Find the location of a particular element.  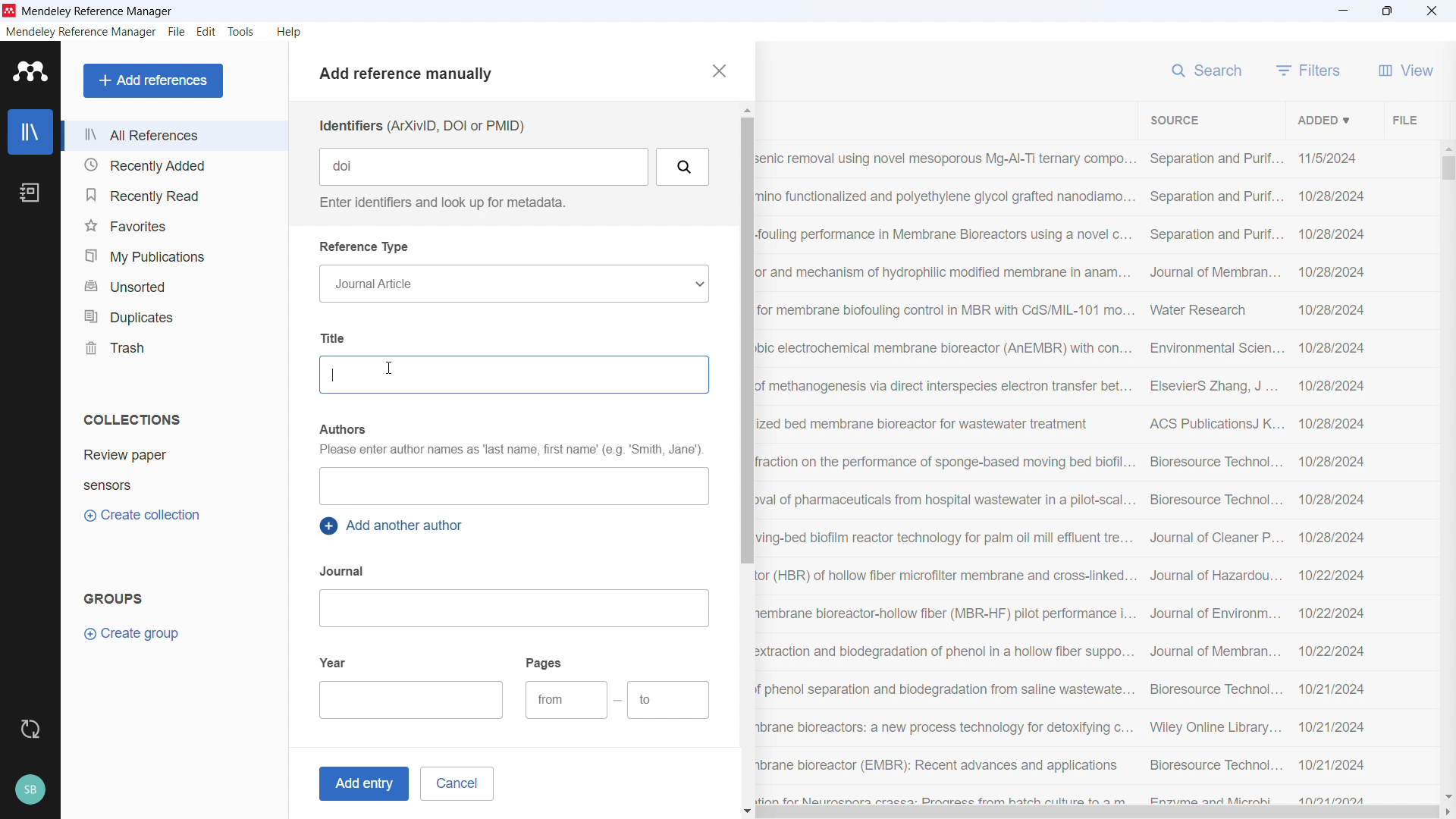

Collection 1 is located at coordinates (176, 455).